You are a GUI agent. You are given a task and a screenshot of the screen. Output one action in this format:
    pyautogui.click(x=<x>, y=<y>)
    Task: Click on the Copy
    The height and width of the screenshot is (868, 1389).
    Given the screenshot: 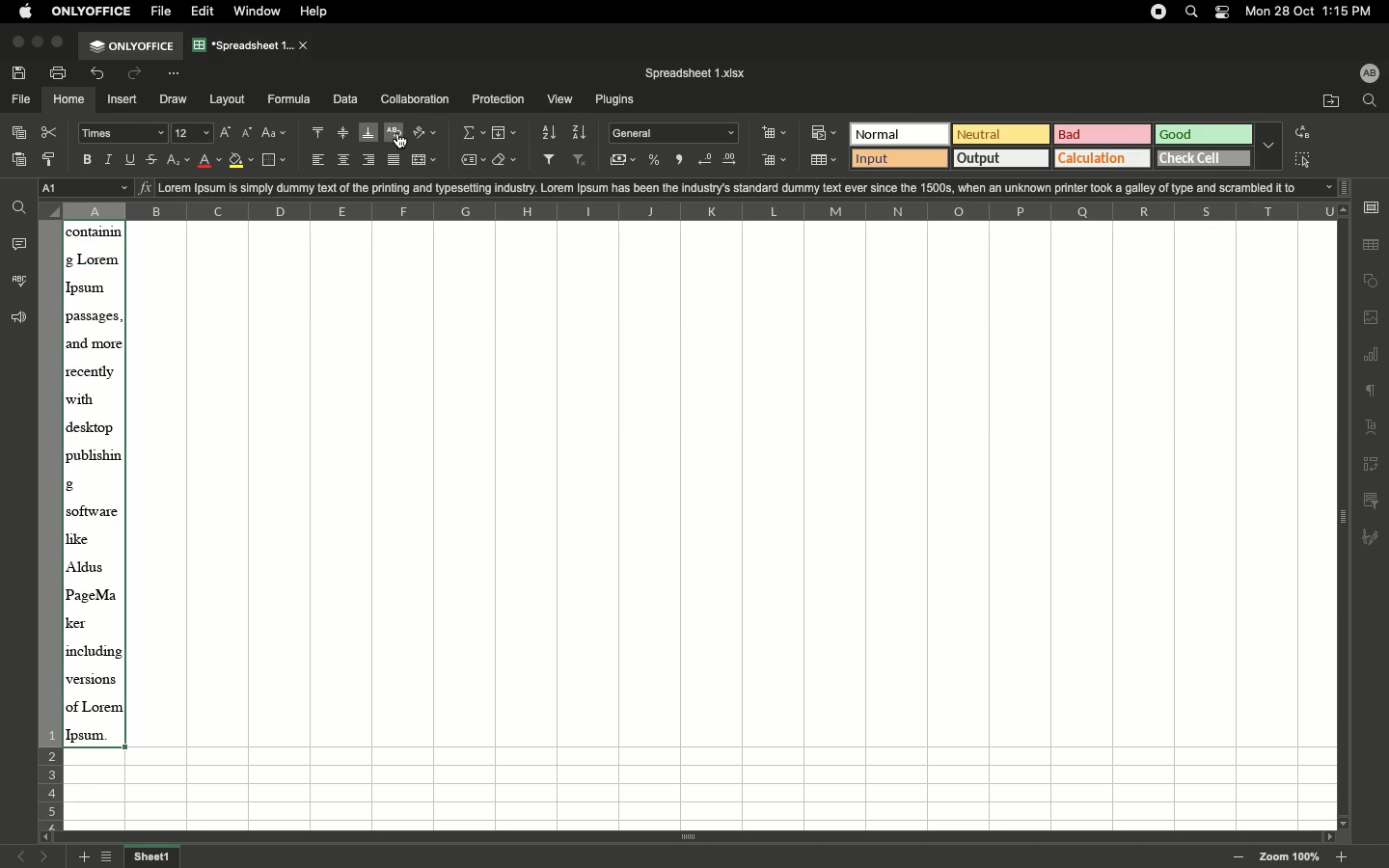 What is the action you would take?
    pyautogui.click(x=22, y=132)
    